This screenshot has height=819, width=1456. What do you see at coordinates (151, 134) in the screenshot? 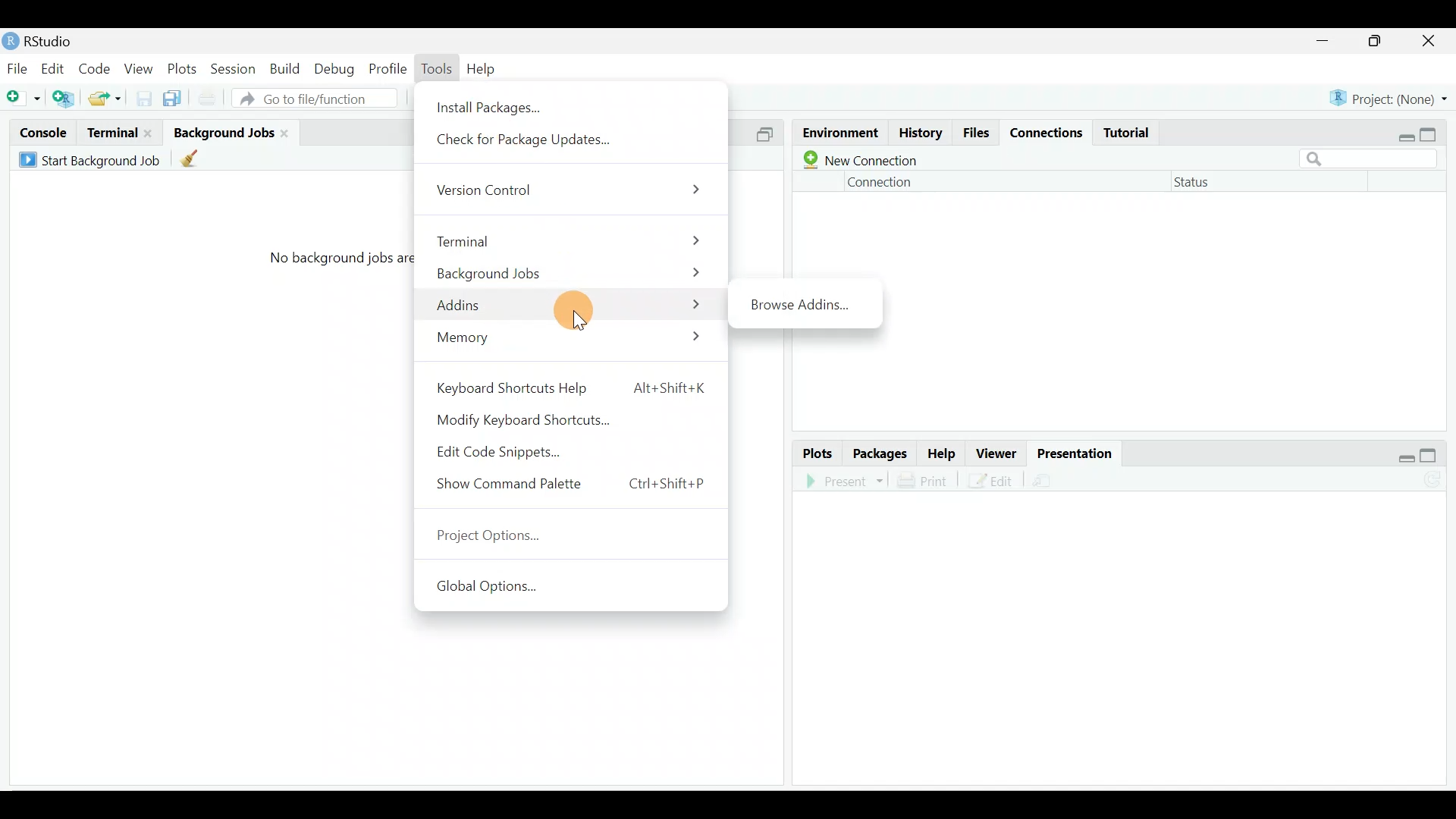
I see `close terminal` at bounding box center [151, 134].